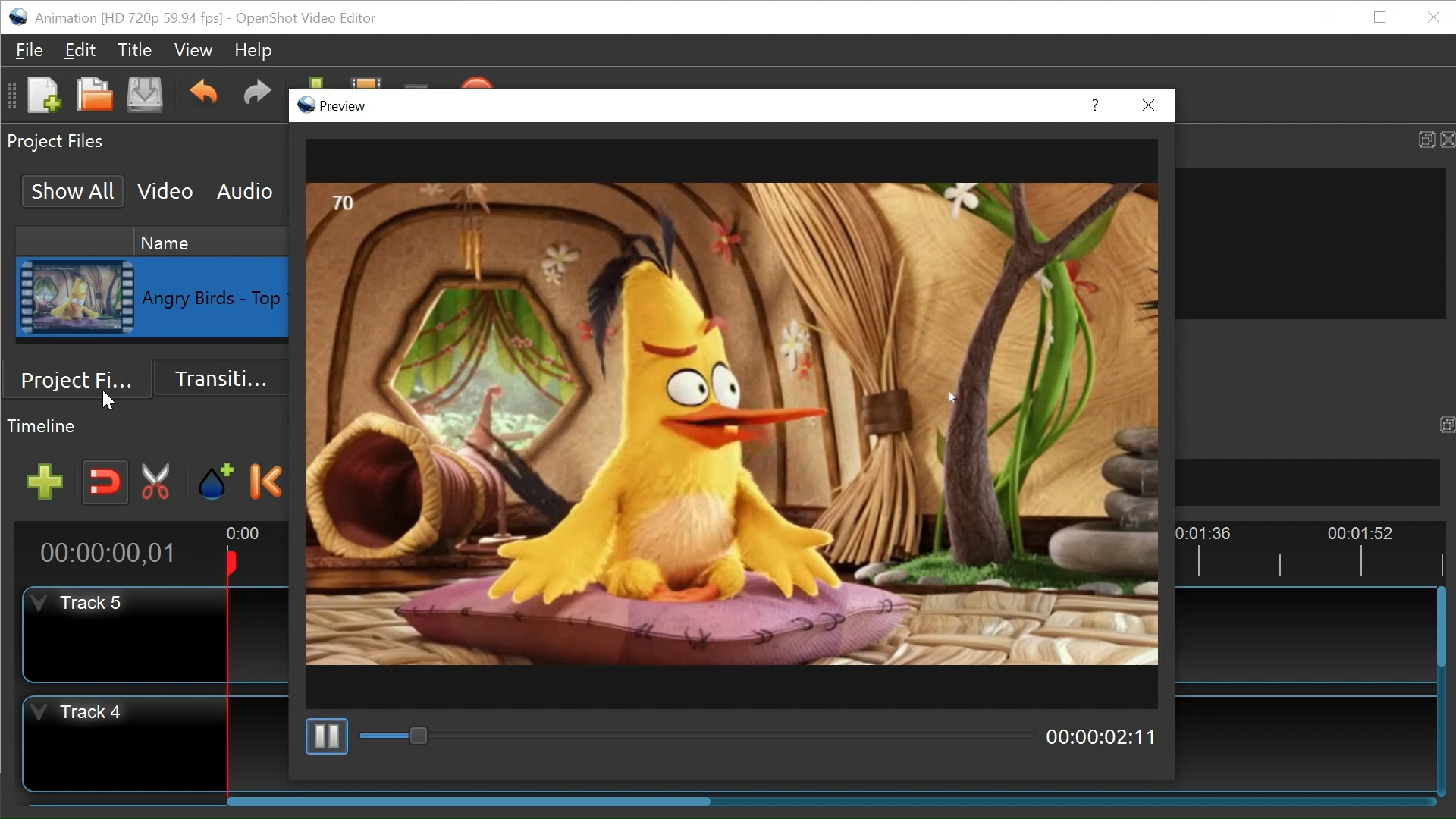 This screenshot has width=1456, height=819. I want to click on Preview, so click(334, 106).